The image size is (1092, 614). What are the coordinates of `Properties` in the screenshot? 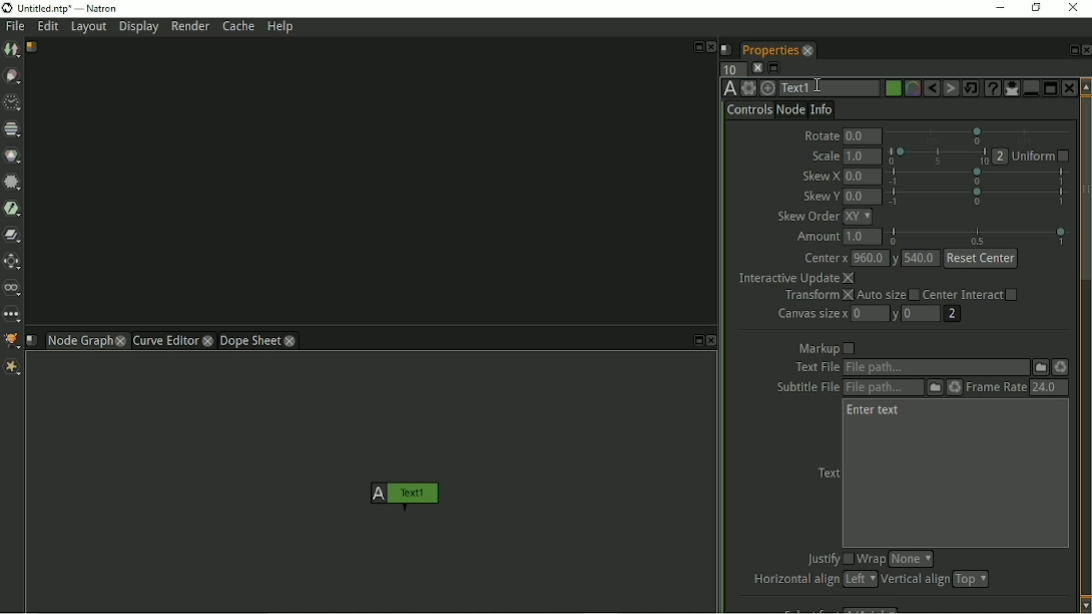 It's located at (768, 48).